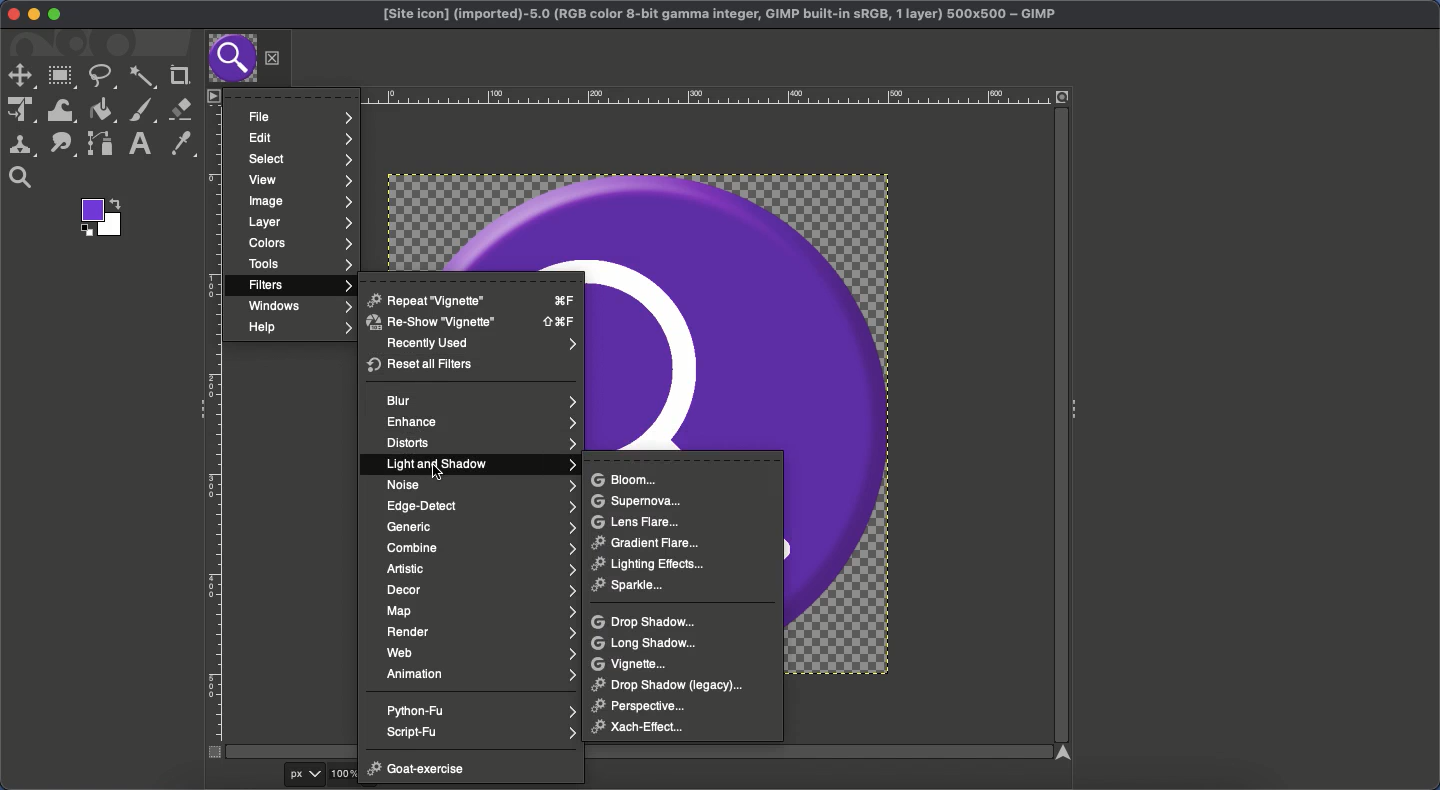  I want to click on Clone, so click(21, 145).